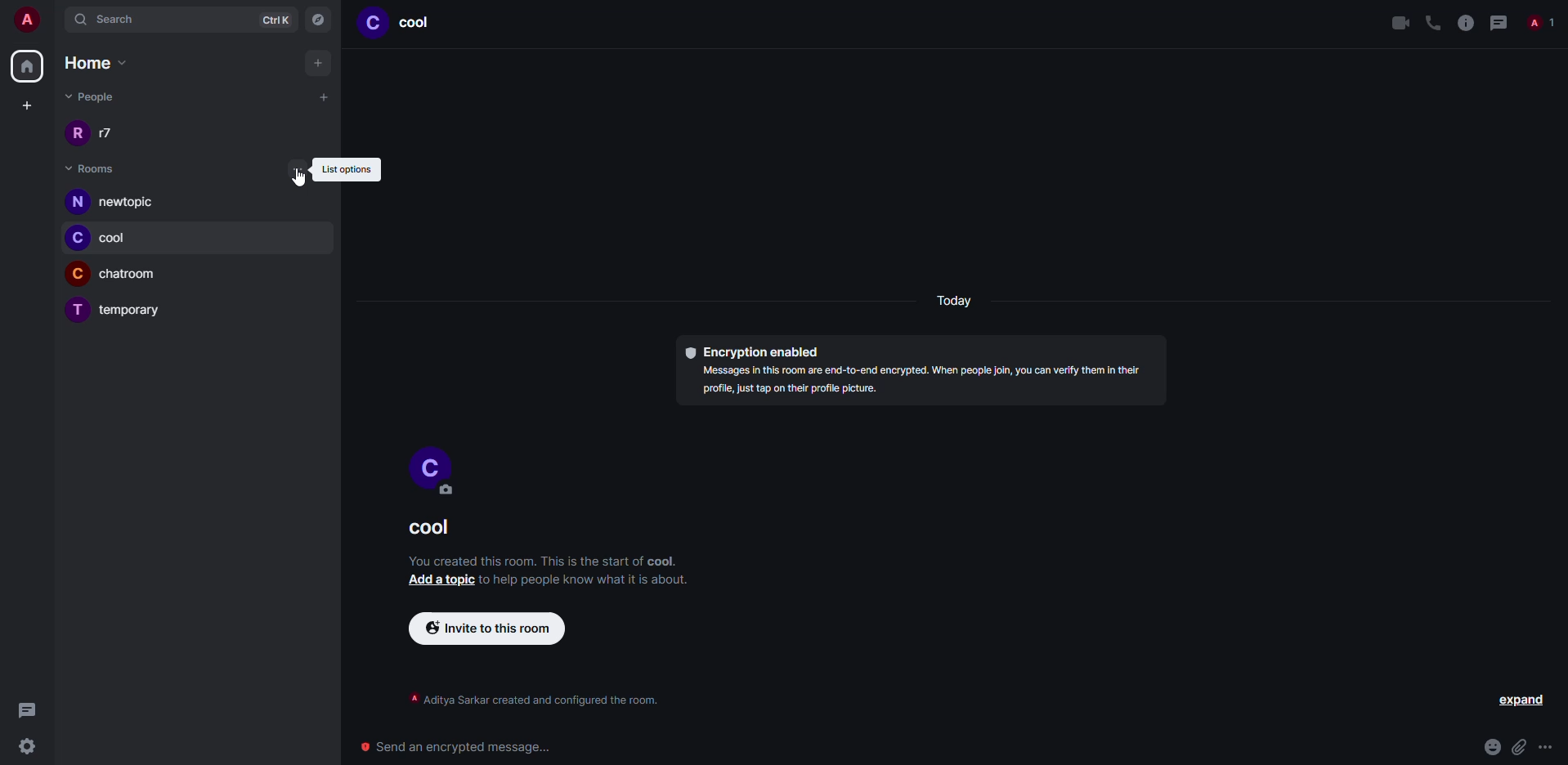 The image size is (1568, 765). Describe the element at coordinates (750, 351) in the screenshot. I see `encryption enabled` at that location.